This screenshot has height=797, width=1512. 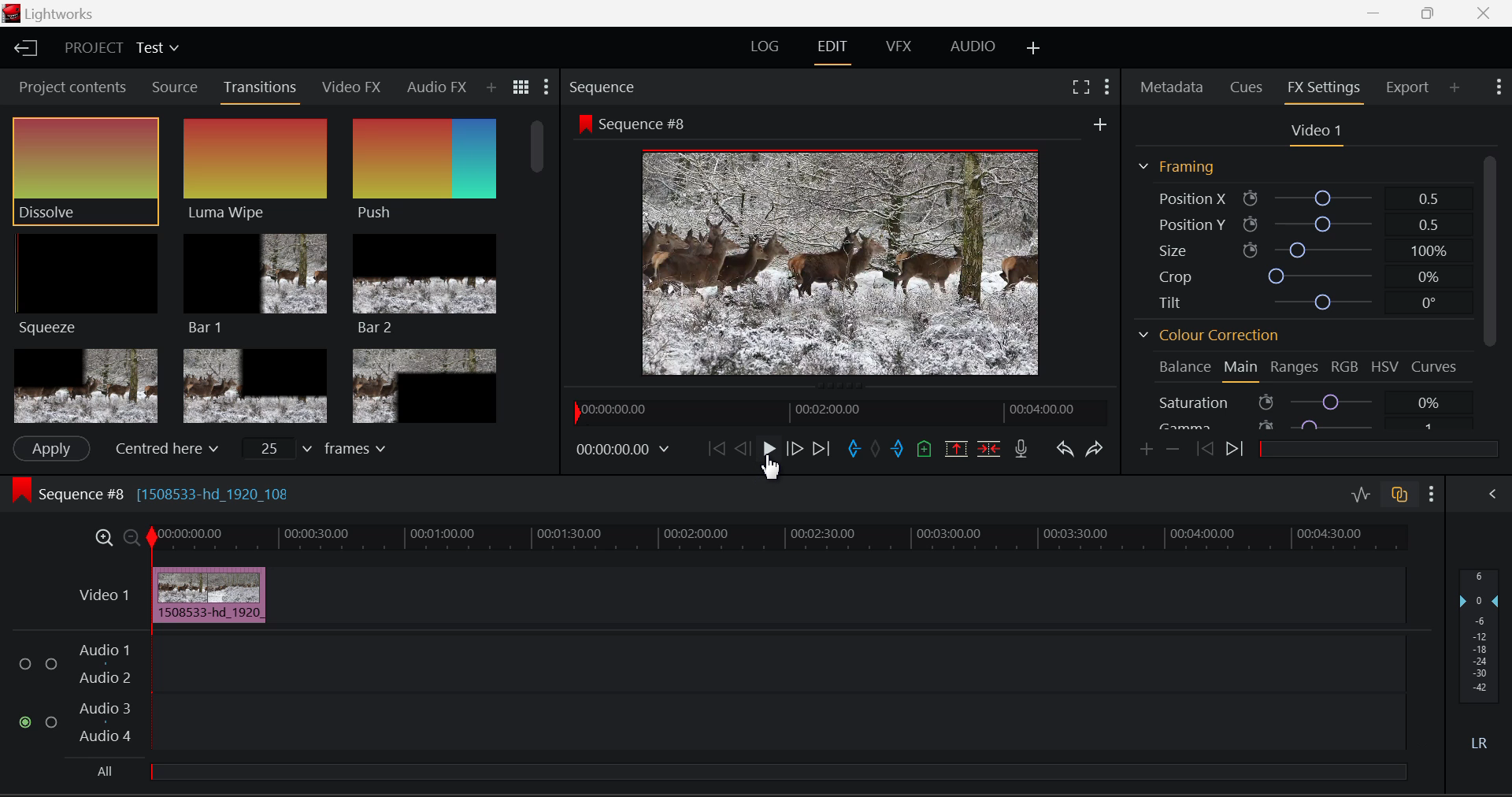 I want to click on Audio 4, so click(x=106, y=736).